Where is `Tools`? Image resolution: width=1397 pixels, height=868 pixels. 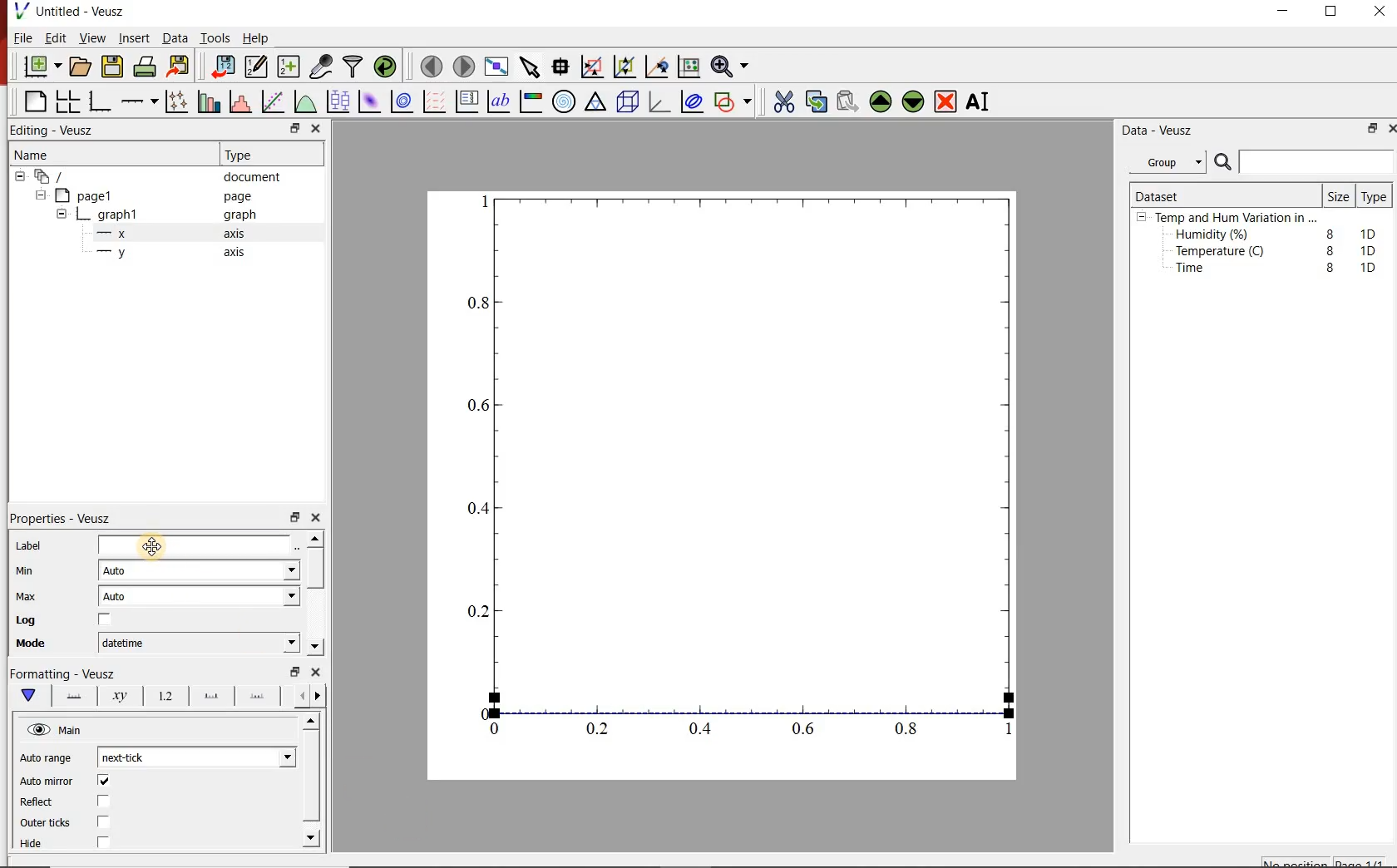
Tools is located at coordinates (214, 38).